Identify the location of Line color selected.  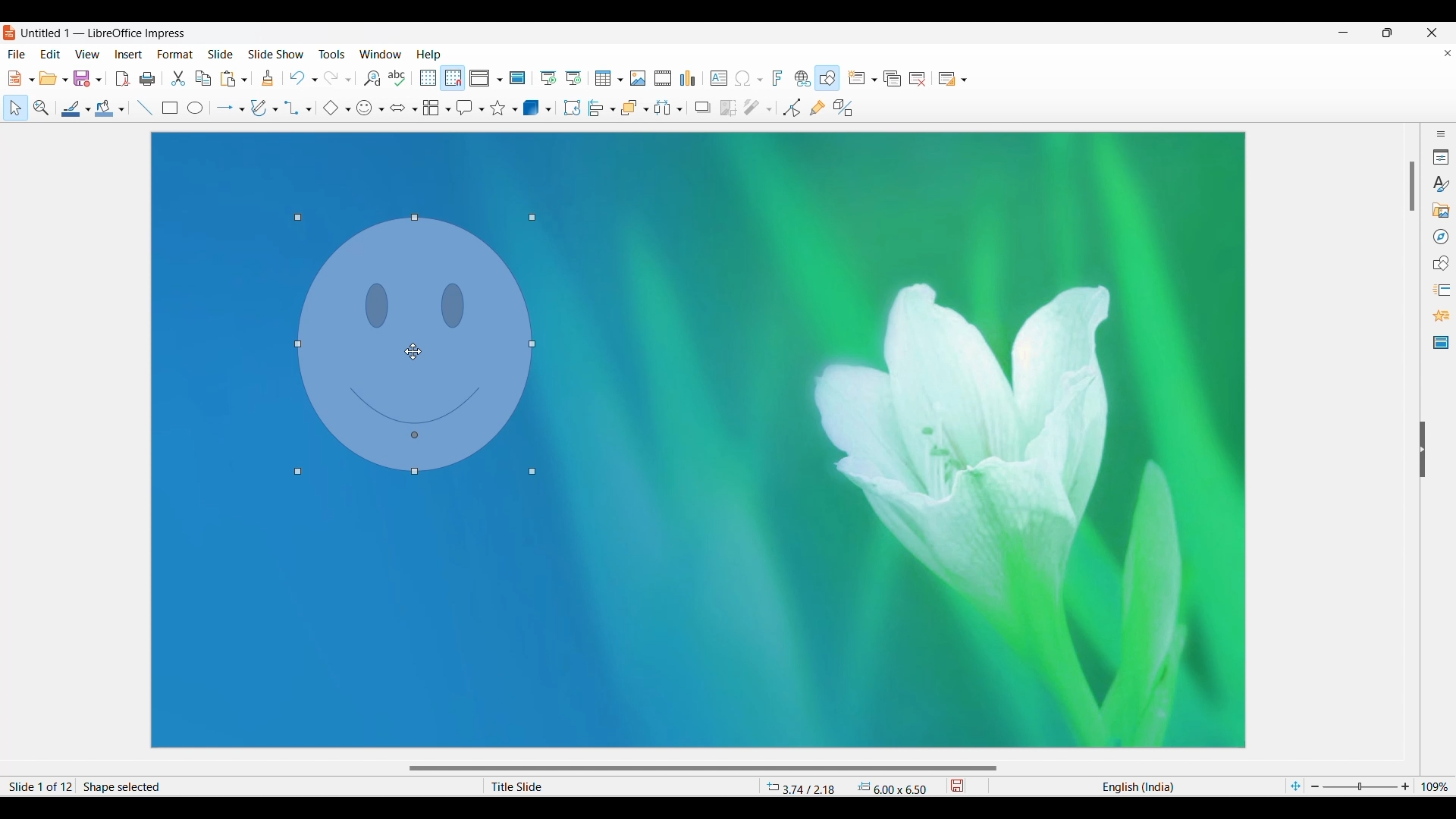
(71, 108).